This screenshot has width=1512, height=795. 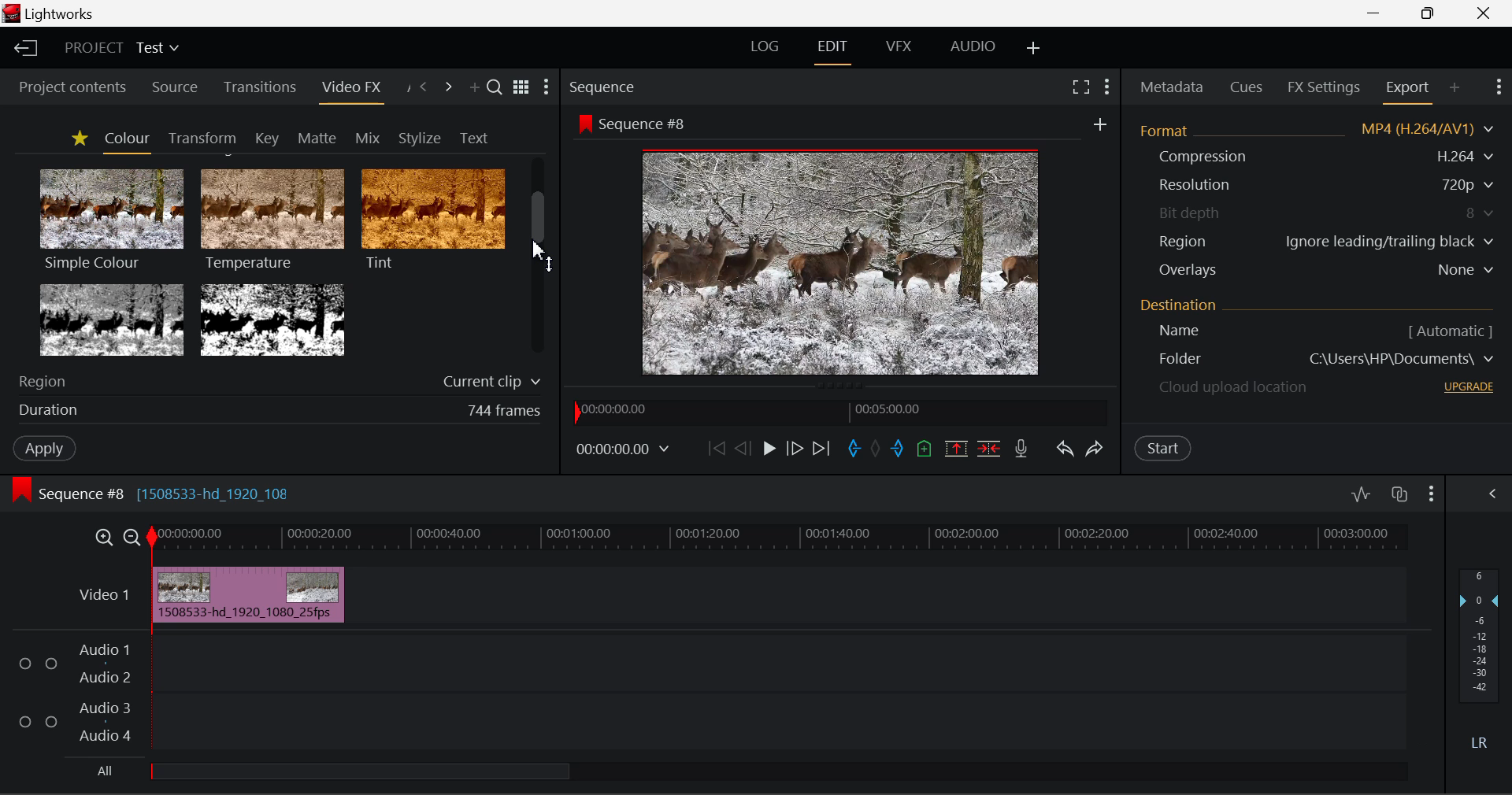 What do you see at coordinates (1170, 87) in the screenshot?
I see `Metadata` at bounding box center [1170, 87].